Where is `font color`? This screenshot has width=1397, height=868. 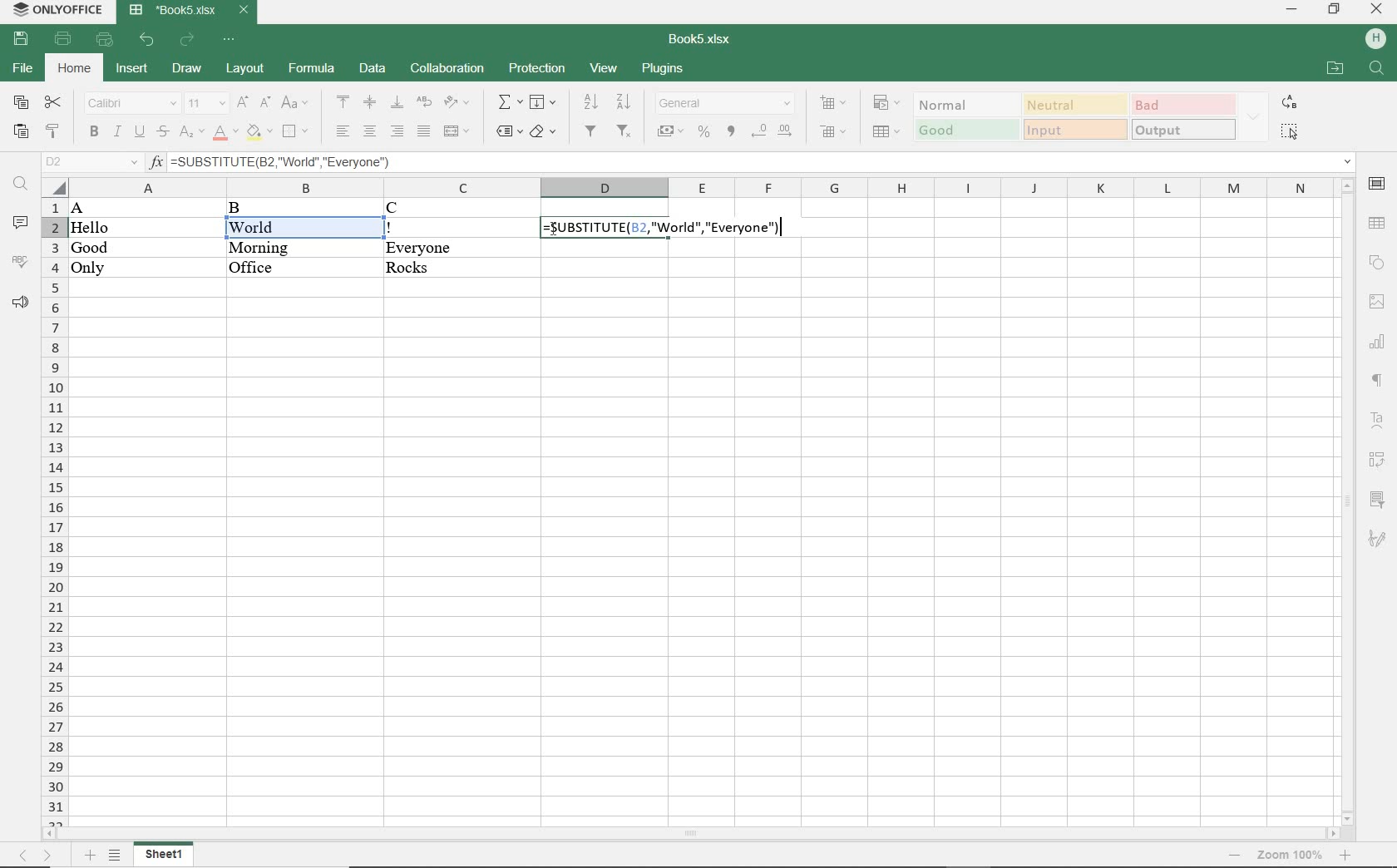 font color is located at coordinates (225, 134).